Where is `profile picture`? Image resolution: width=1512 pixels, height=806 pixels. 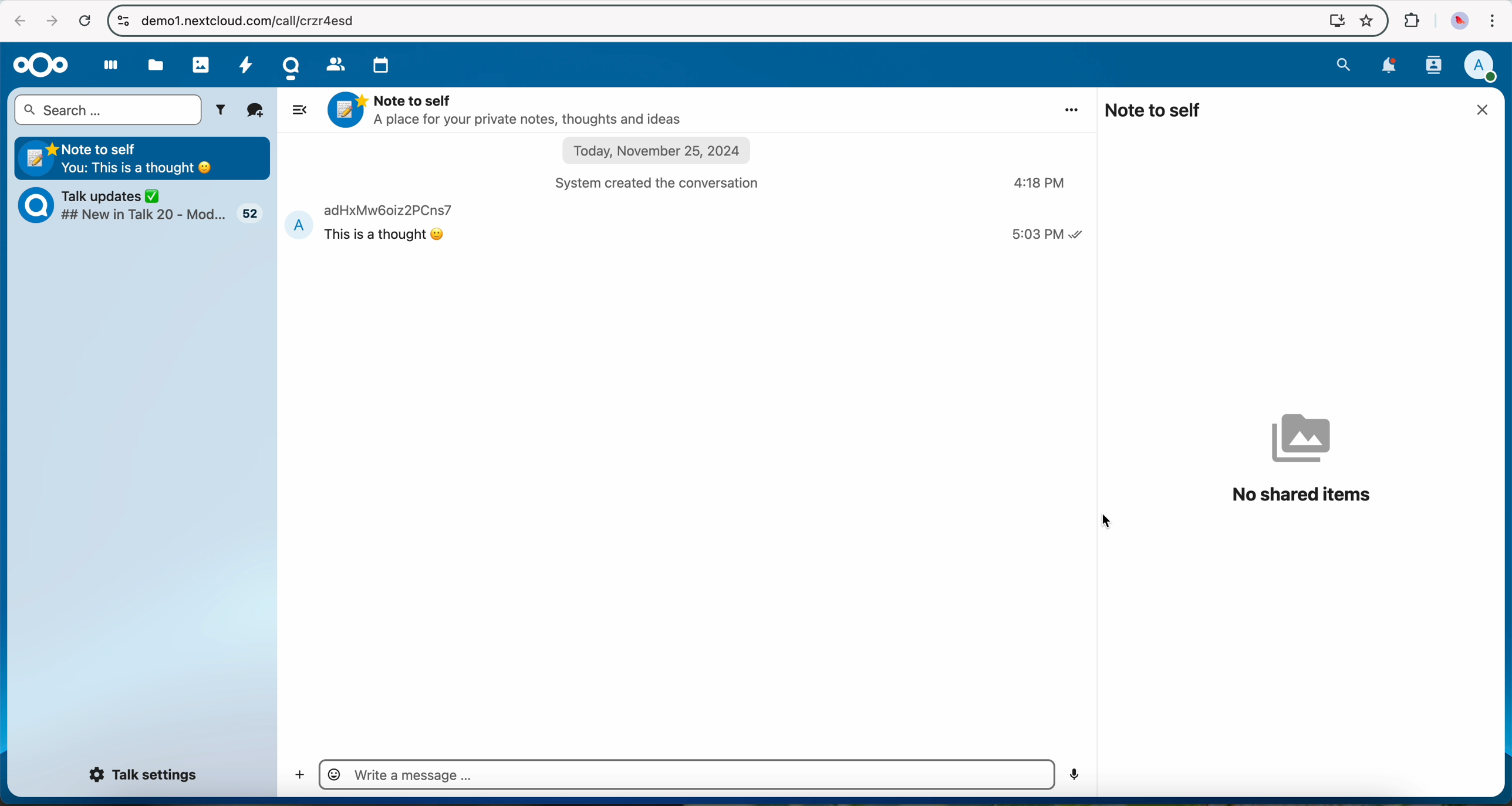
profile picture is located at coordinates (1456, 21).